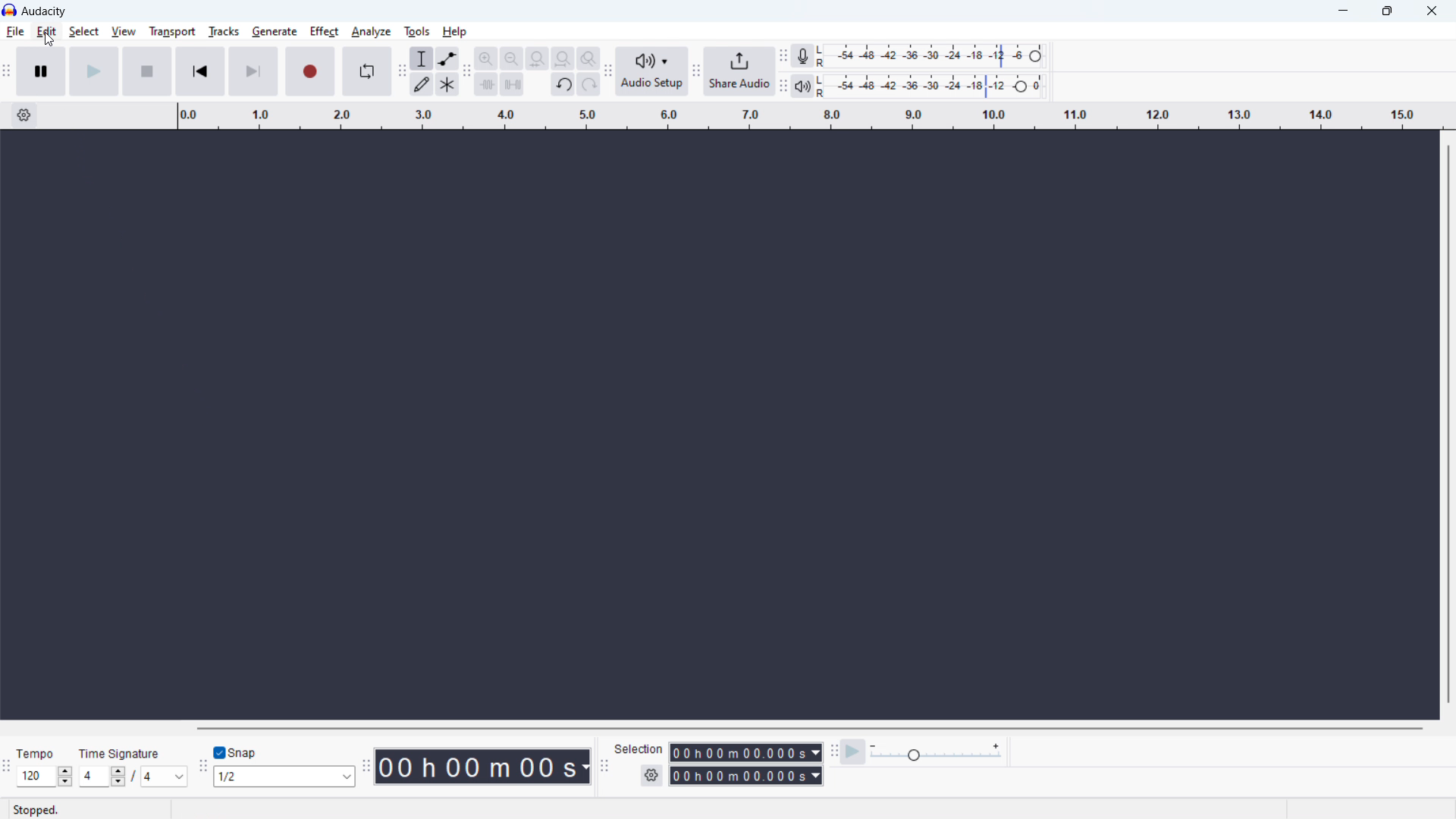  Describe the element at coordinates (422, 58) in the screenshot. I see `selection tool` at that location.